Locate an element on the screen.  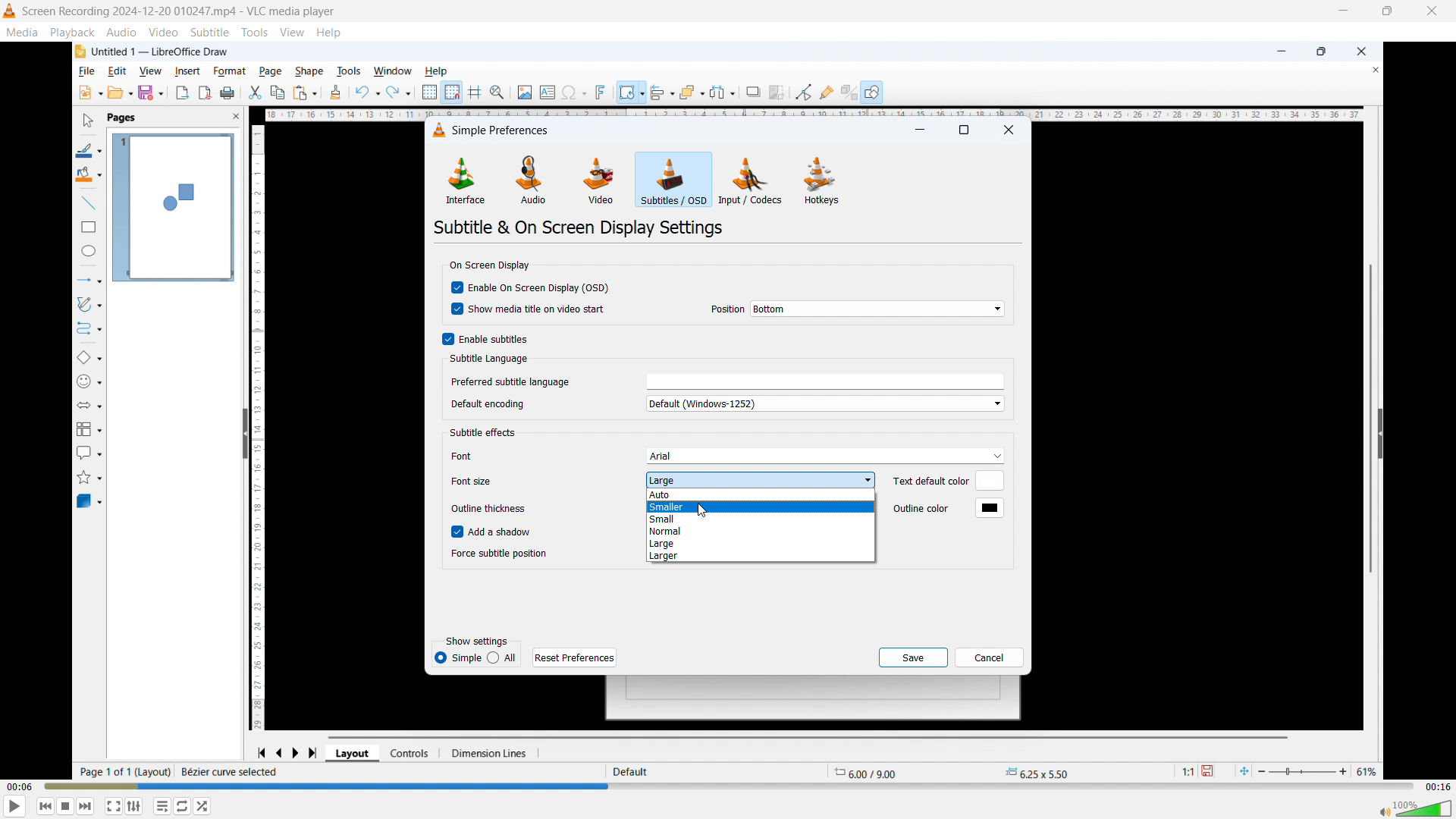
Maximise  is located at coordinates (1387, 12).